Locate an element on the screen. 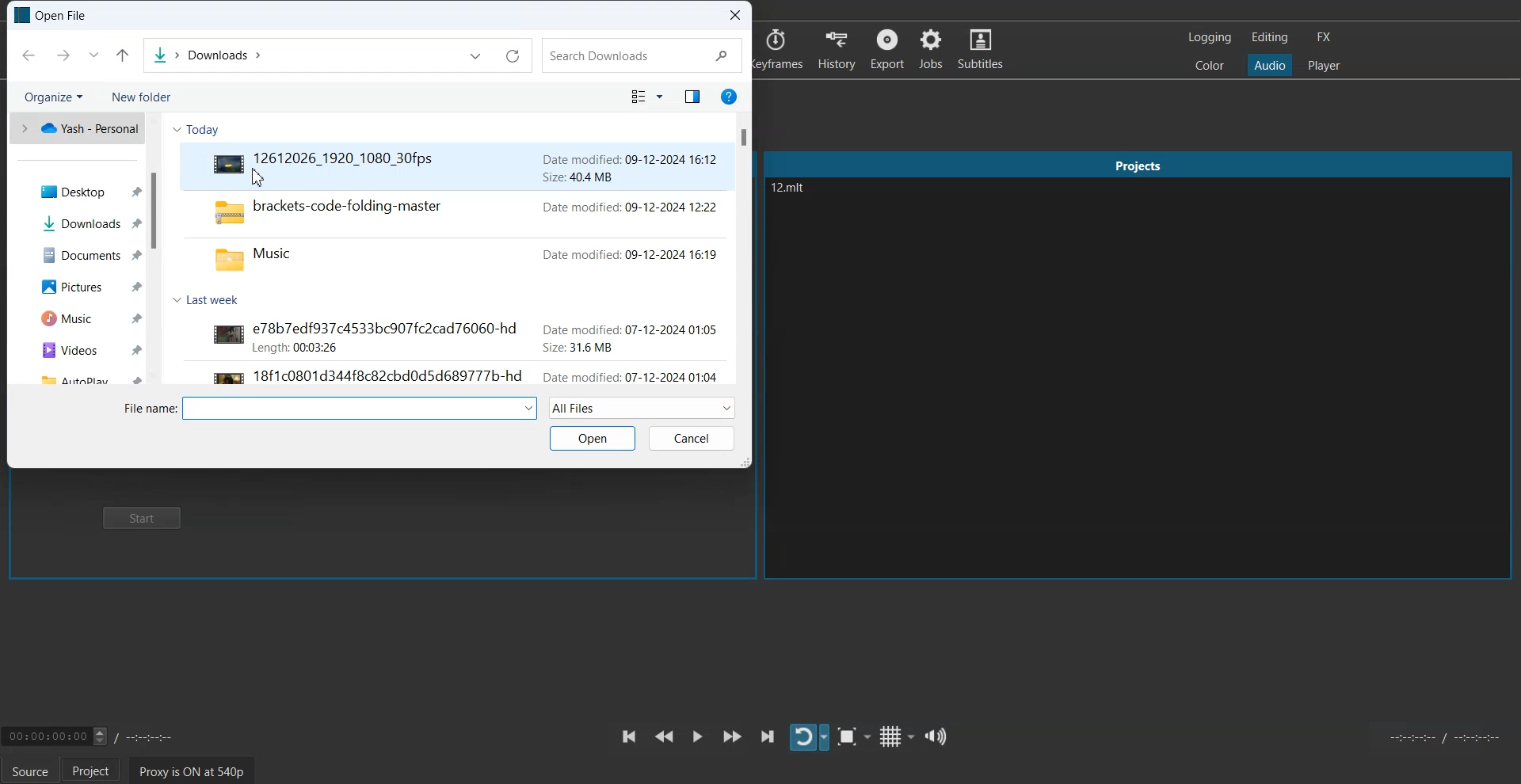  Editing is located at coordinates (1270, 36).